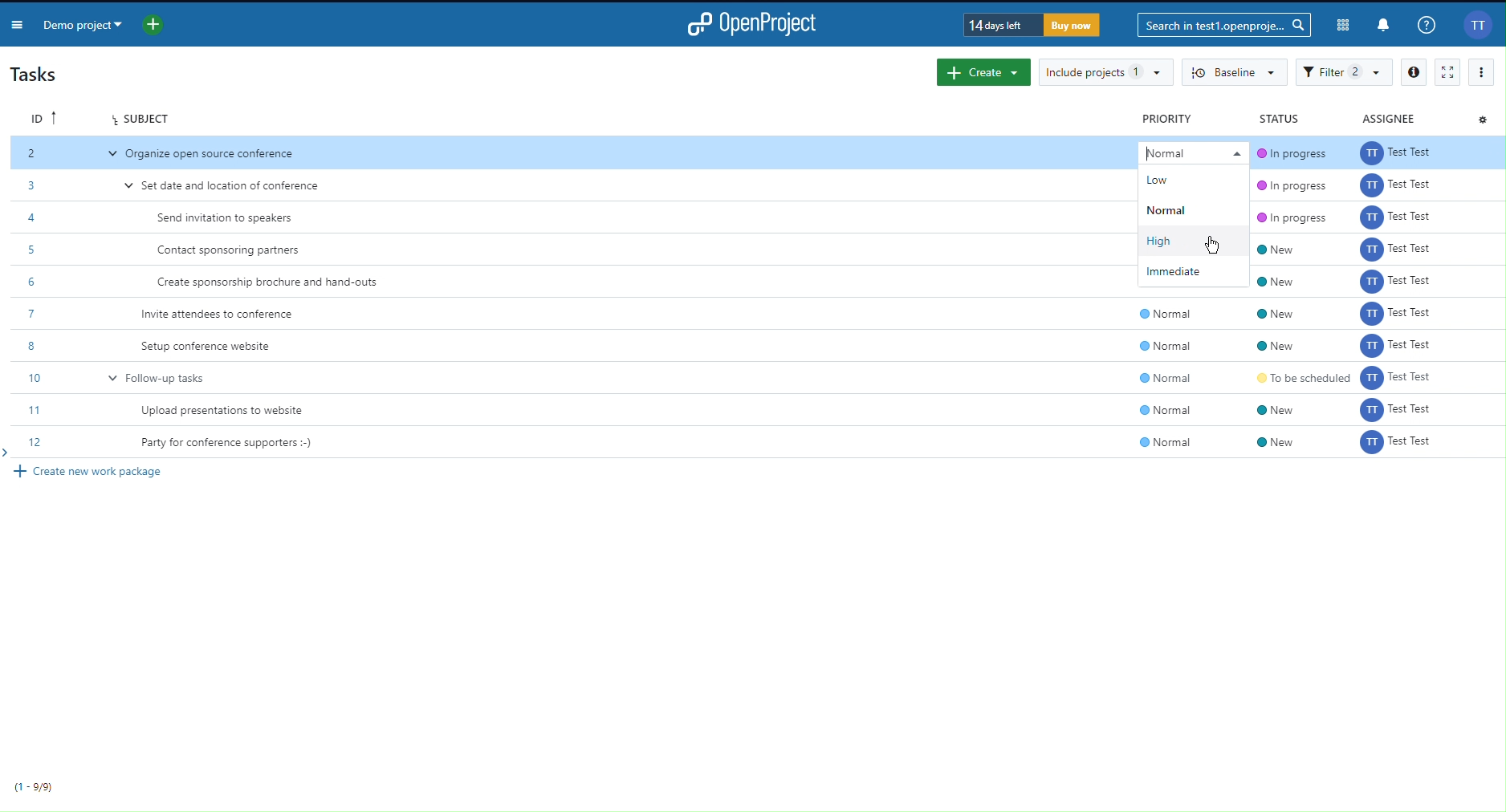 This screenshot has height=812, width=1506. Describe the element at coordinates (40, 75) in the screenshot. I see `Tasks` at that location.